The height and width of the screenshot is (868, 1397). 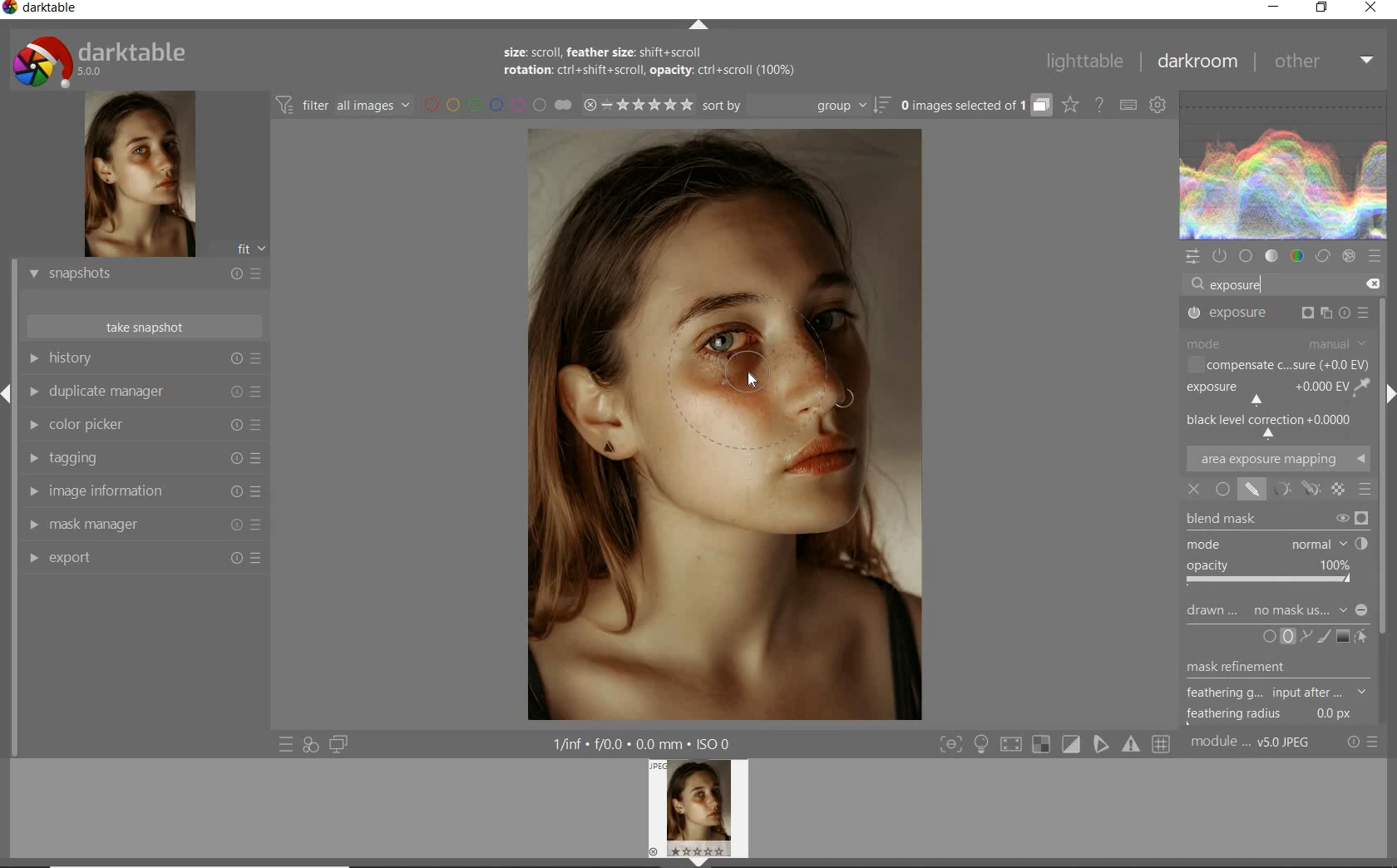 I want to click on sort, so click(x=797, y=105).